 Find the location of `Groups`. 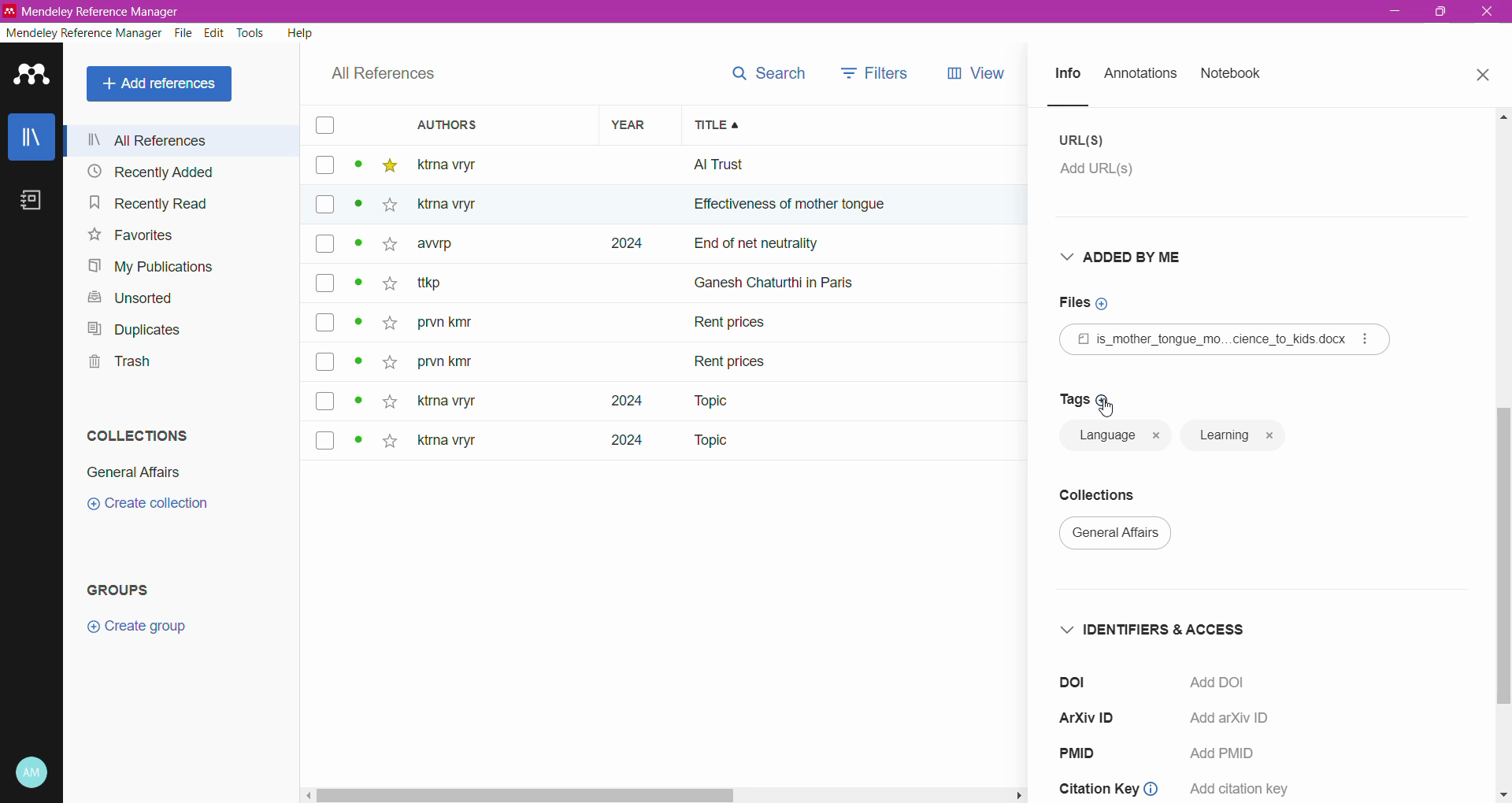

Groups is located at coordinates (121, 590).